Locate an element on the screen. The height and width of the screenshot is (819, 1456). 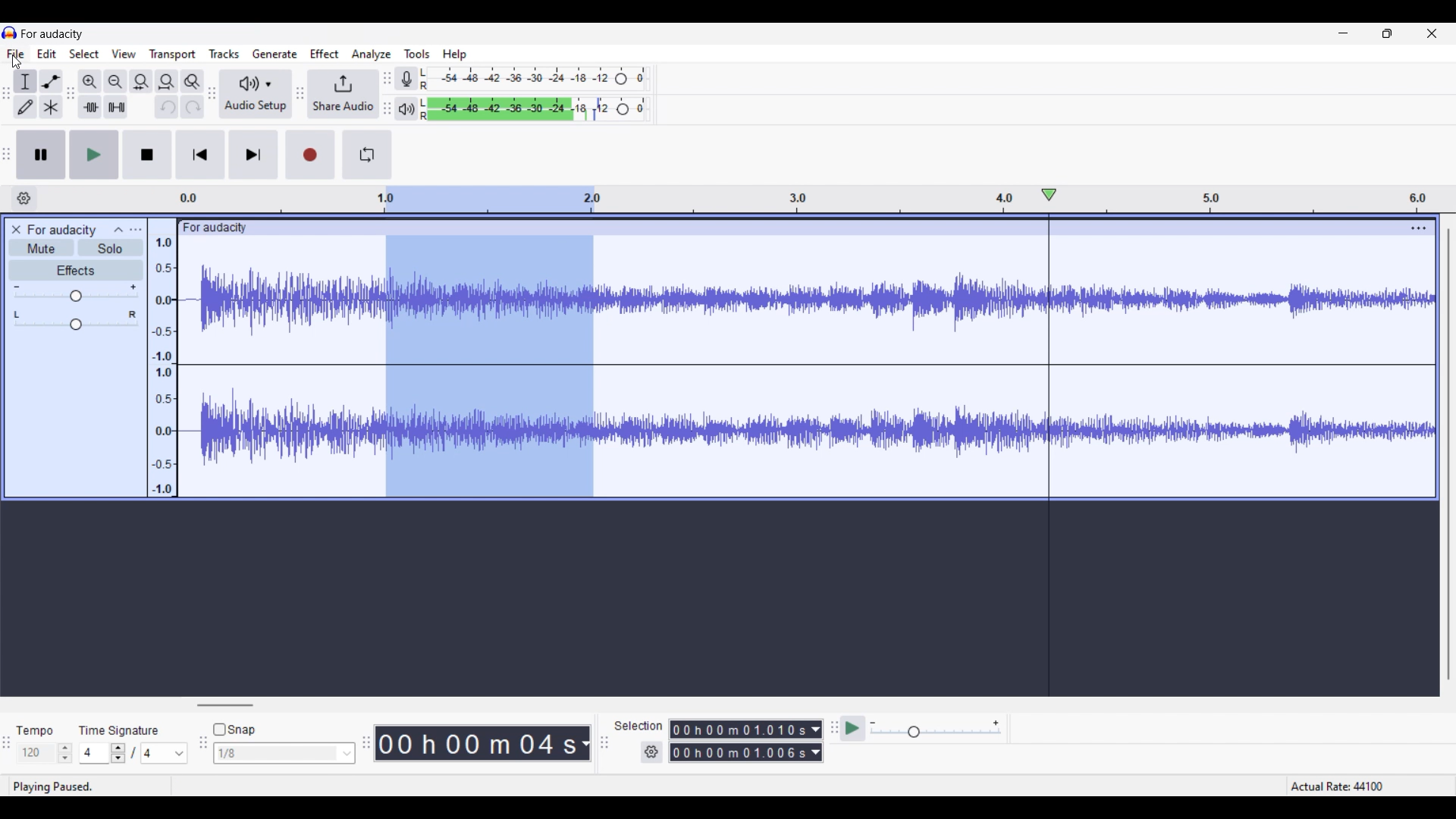
Undo is located at coordinates (167, 106).